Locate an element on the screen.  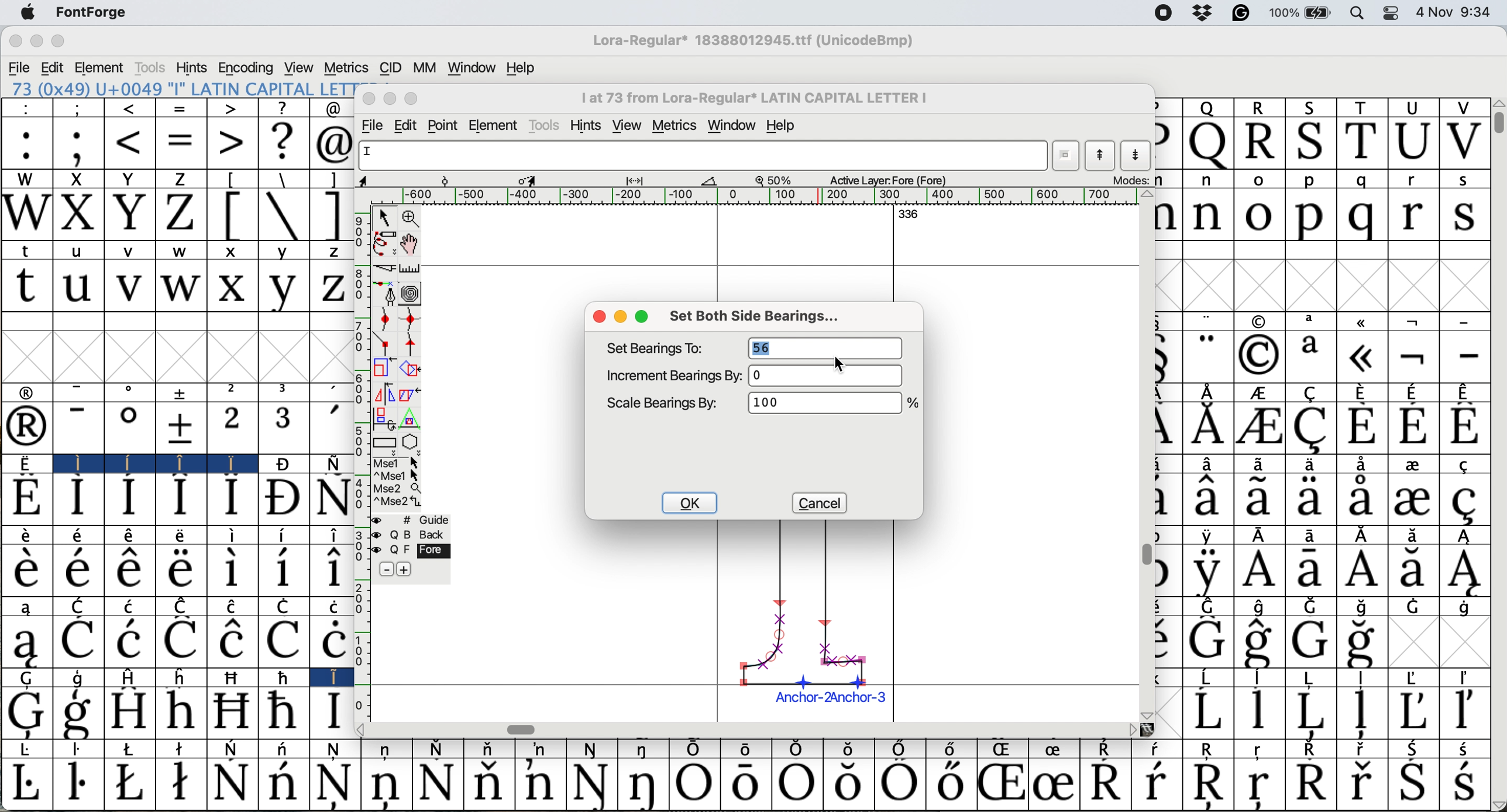
 is located at coordinates (634, 178).